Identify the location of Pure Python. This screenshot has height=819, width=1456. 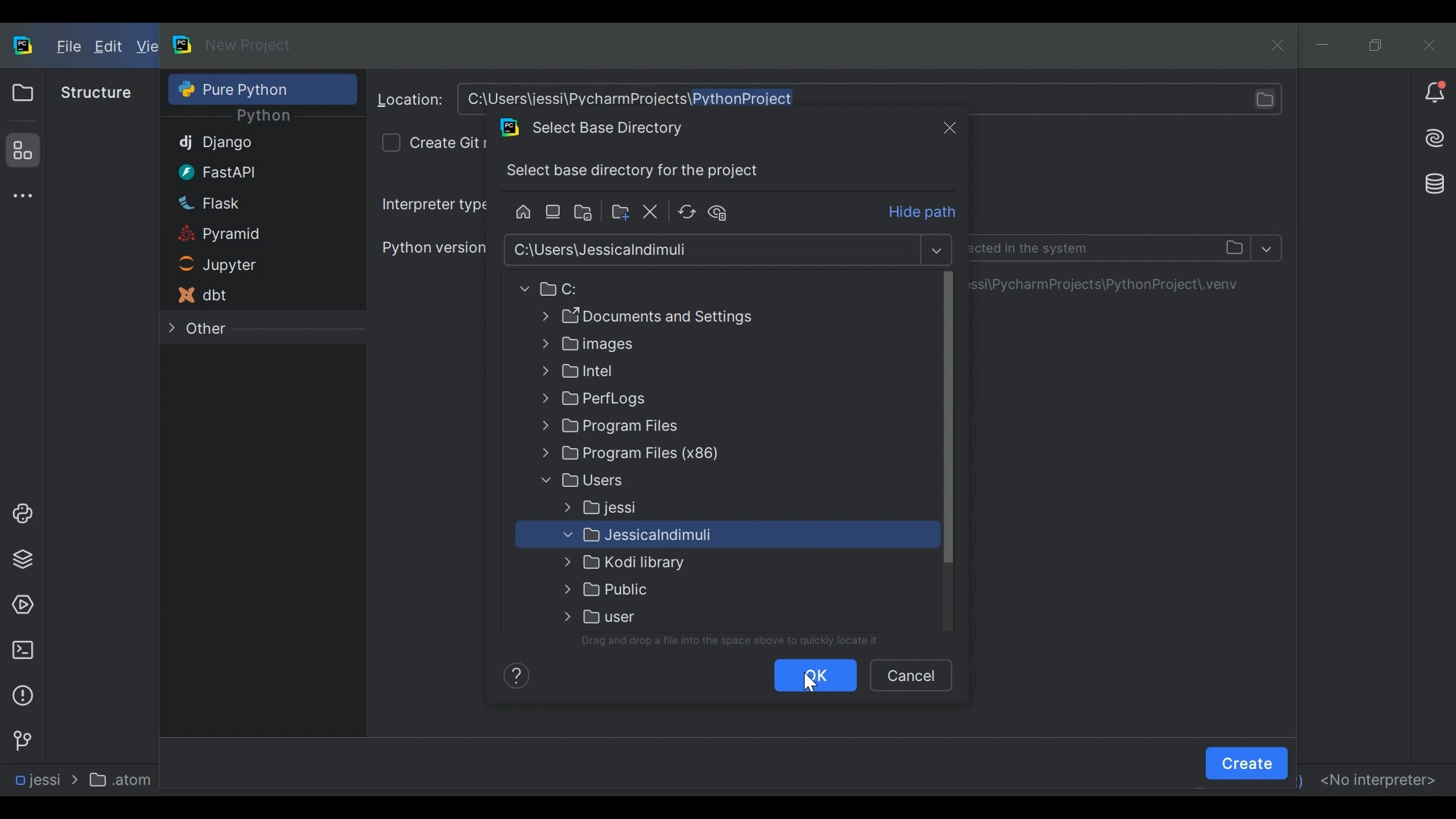
(261, 89).